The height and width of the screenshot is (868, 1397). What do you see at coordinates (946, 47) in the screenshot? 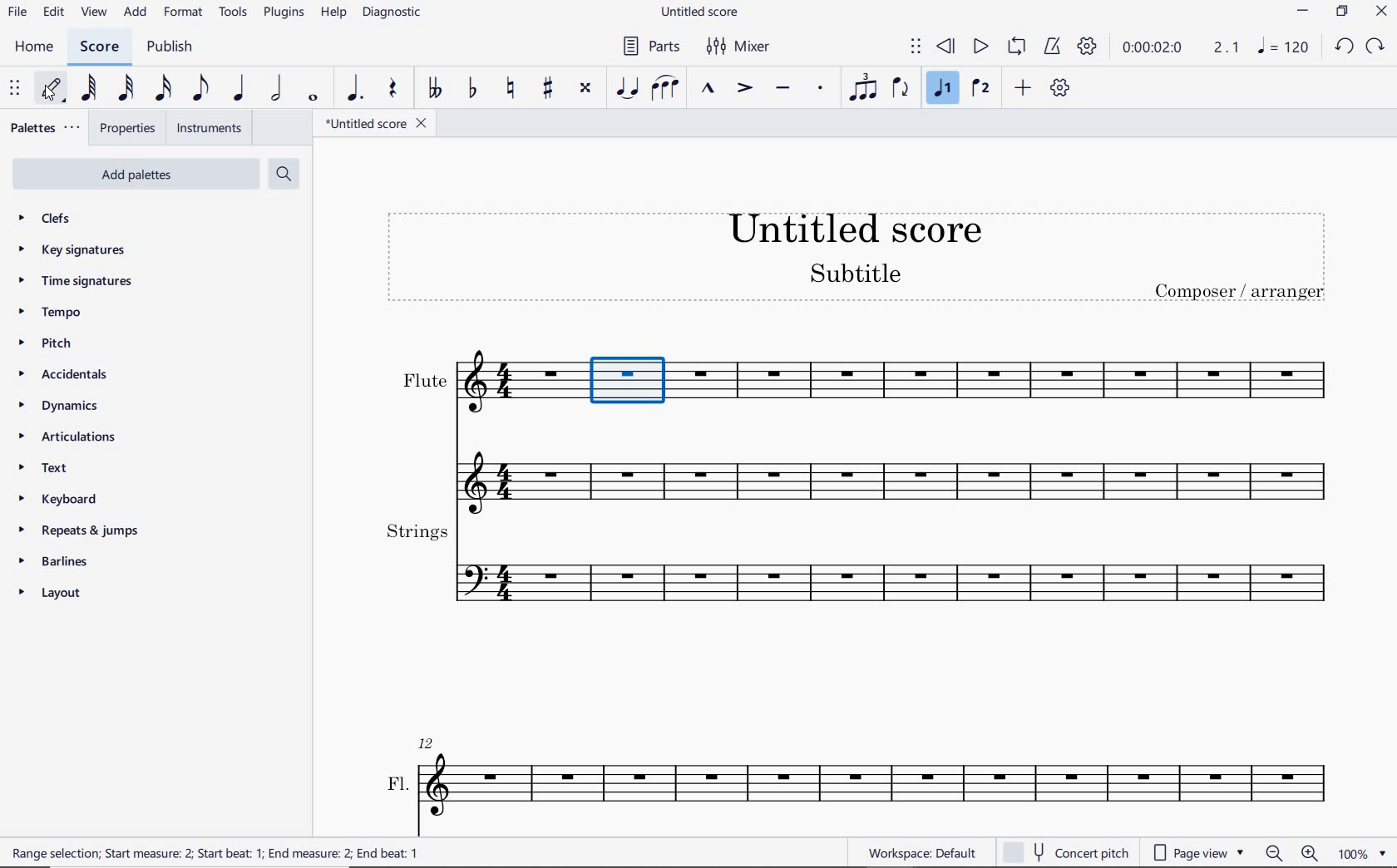
I see `REWIND` at bounding box center [946, 47].